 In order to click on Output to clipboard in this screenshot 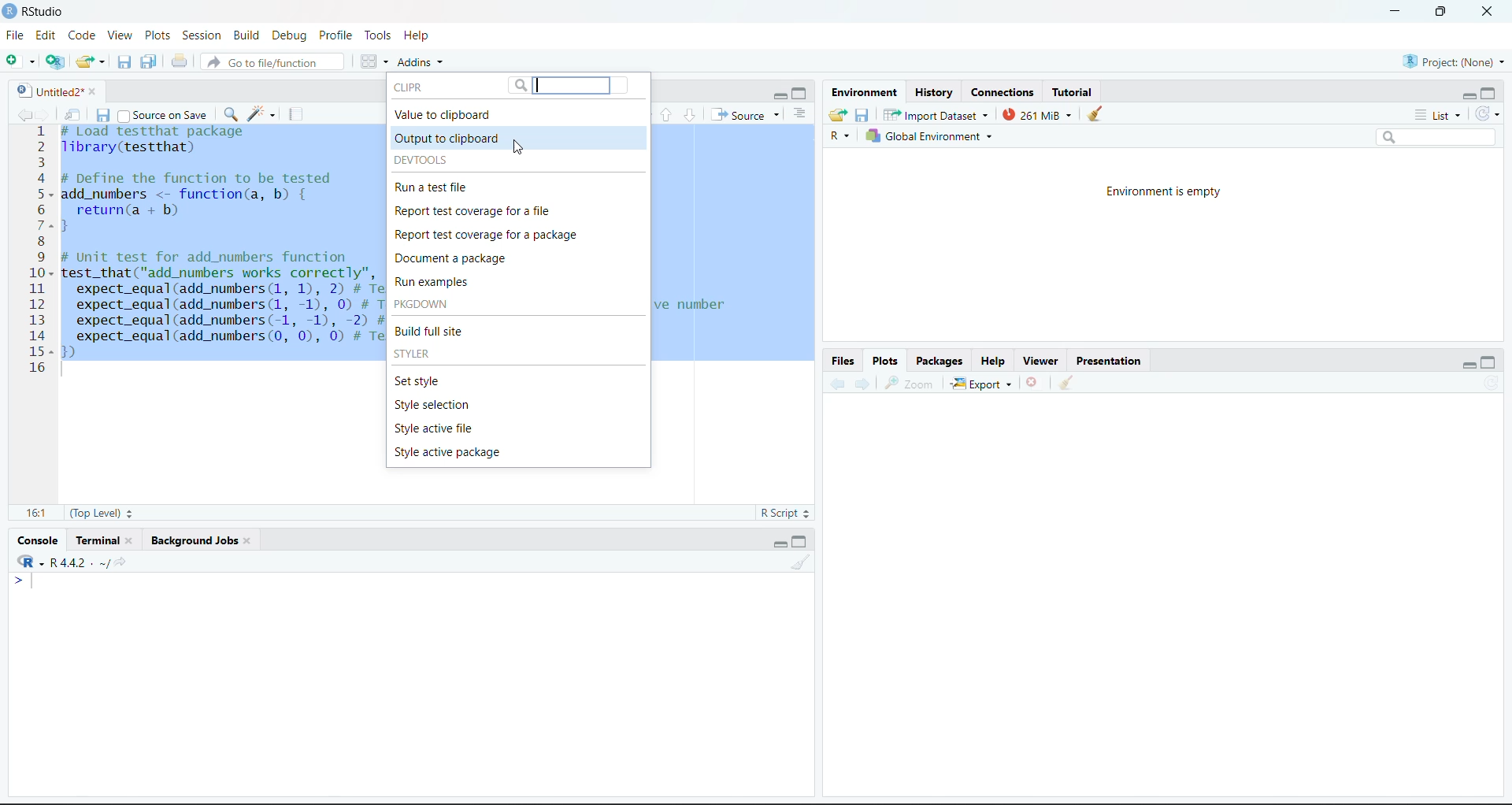, I will do `click(448, 139)`.